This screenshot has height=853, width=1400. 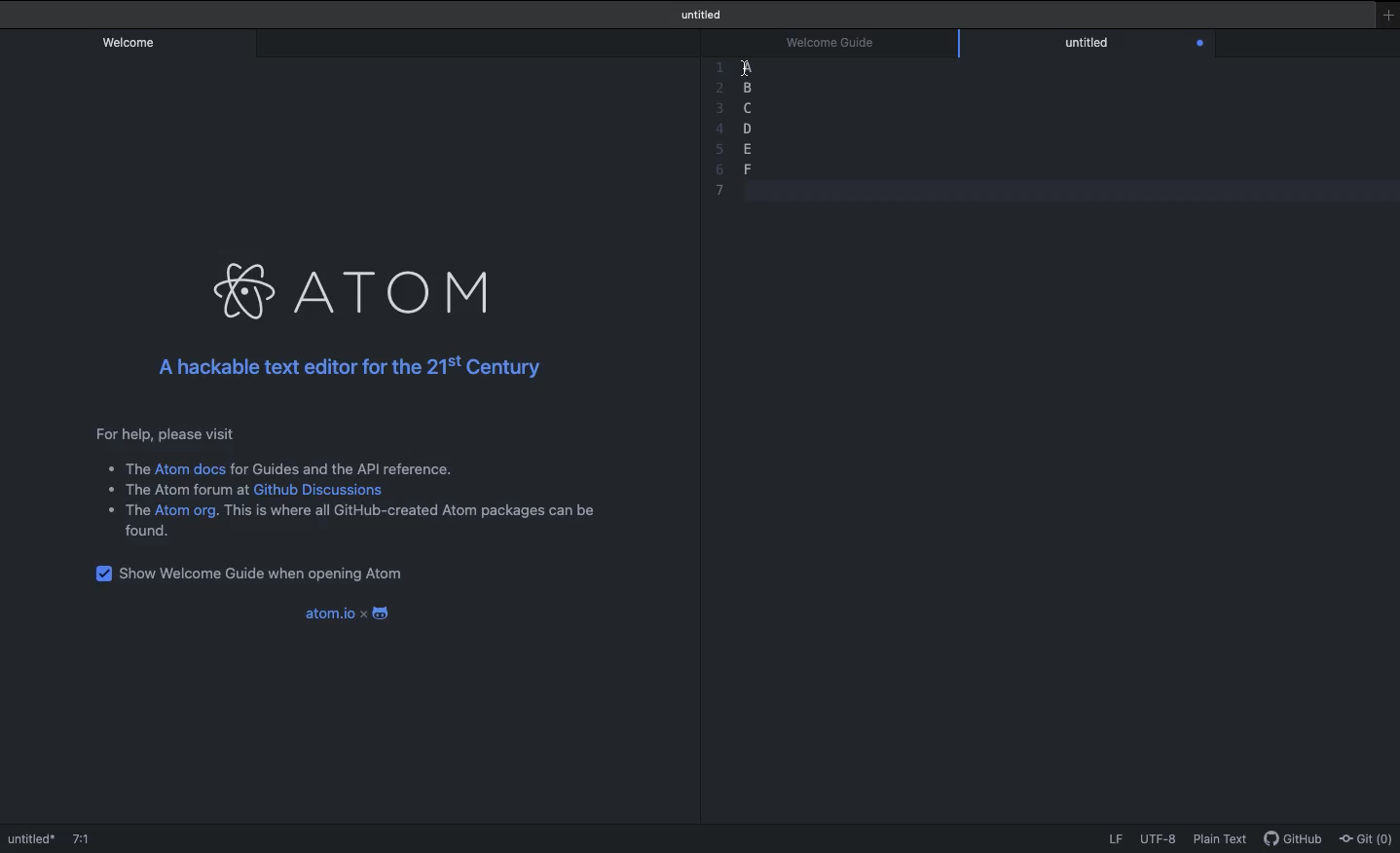 I want to click on Editor, so click(x=1089, y=42).